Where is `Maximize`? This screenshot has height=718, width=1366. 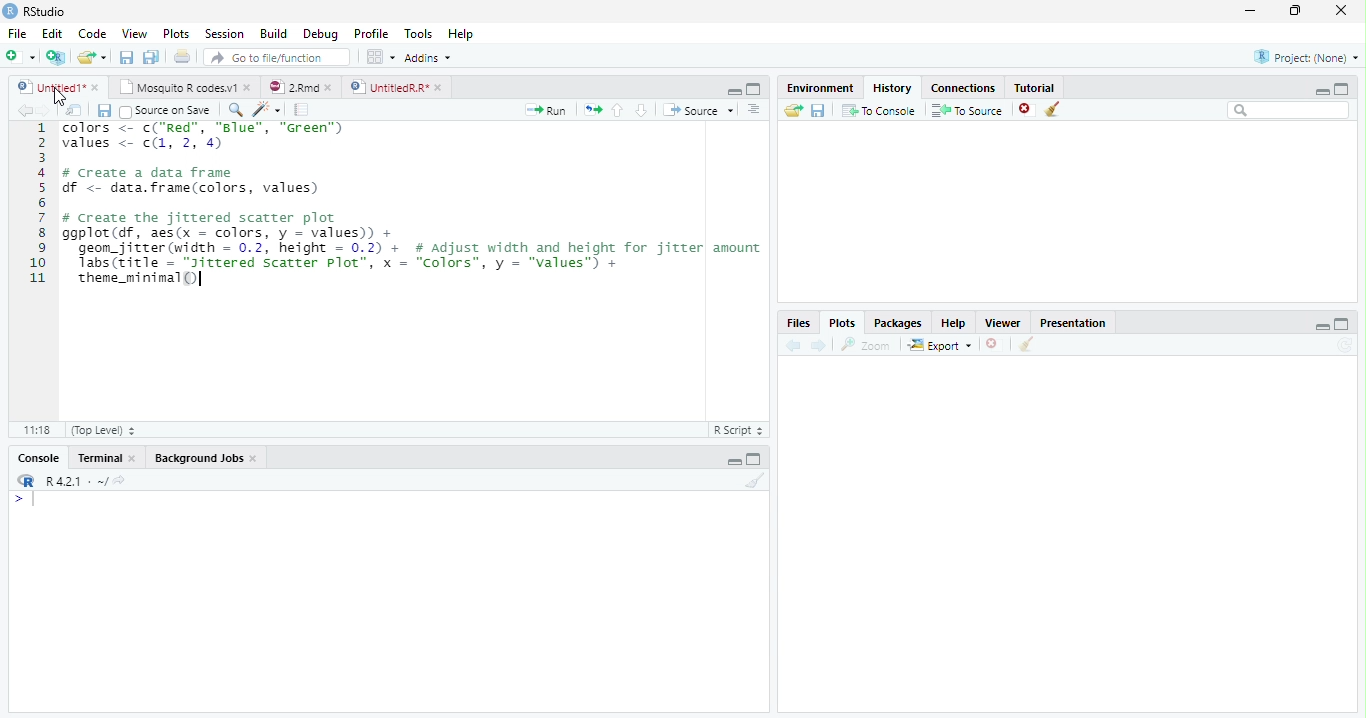 Maximize is located at coordinates (1342, 324).